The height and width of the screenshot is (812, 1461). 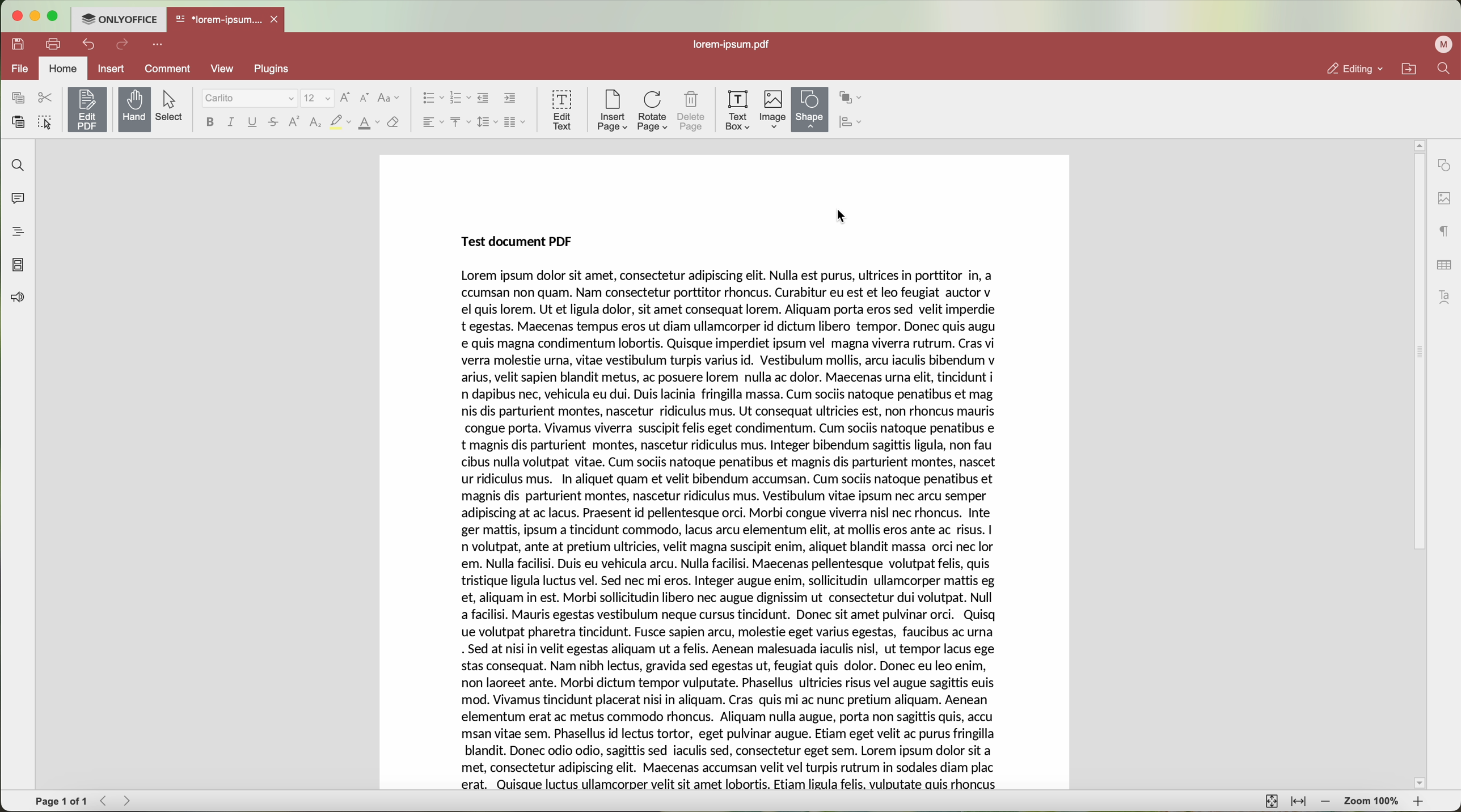 What do you see at coordinates (856, 123) in the screenshot?
I see `align shape` at bounding box center [856, 123].